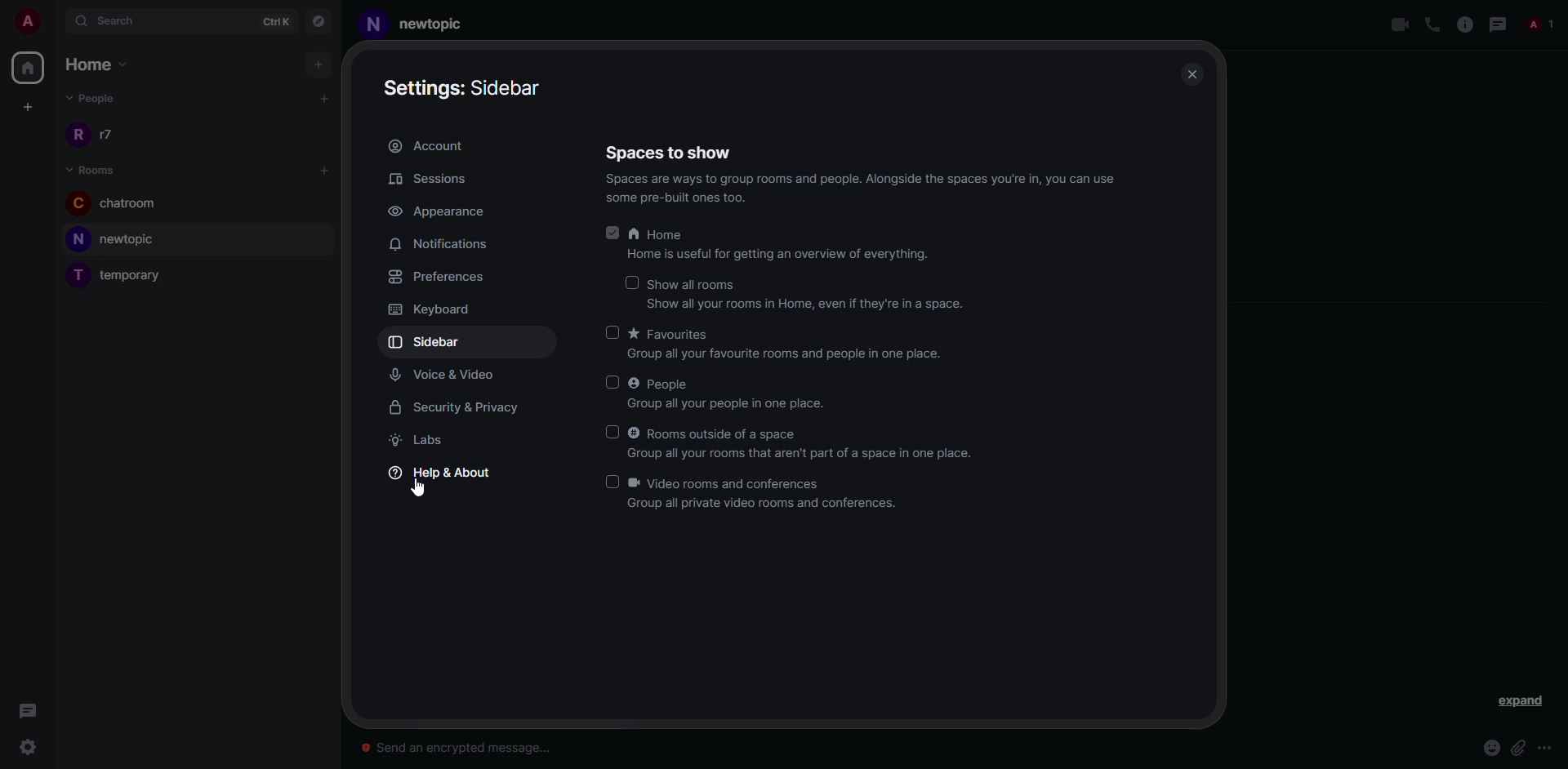  What do you see at coordinates (26, 108) in the screenshot?
I see `create space` at bounding box center [26, 108].